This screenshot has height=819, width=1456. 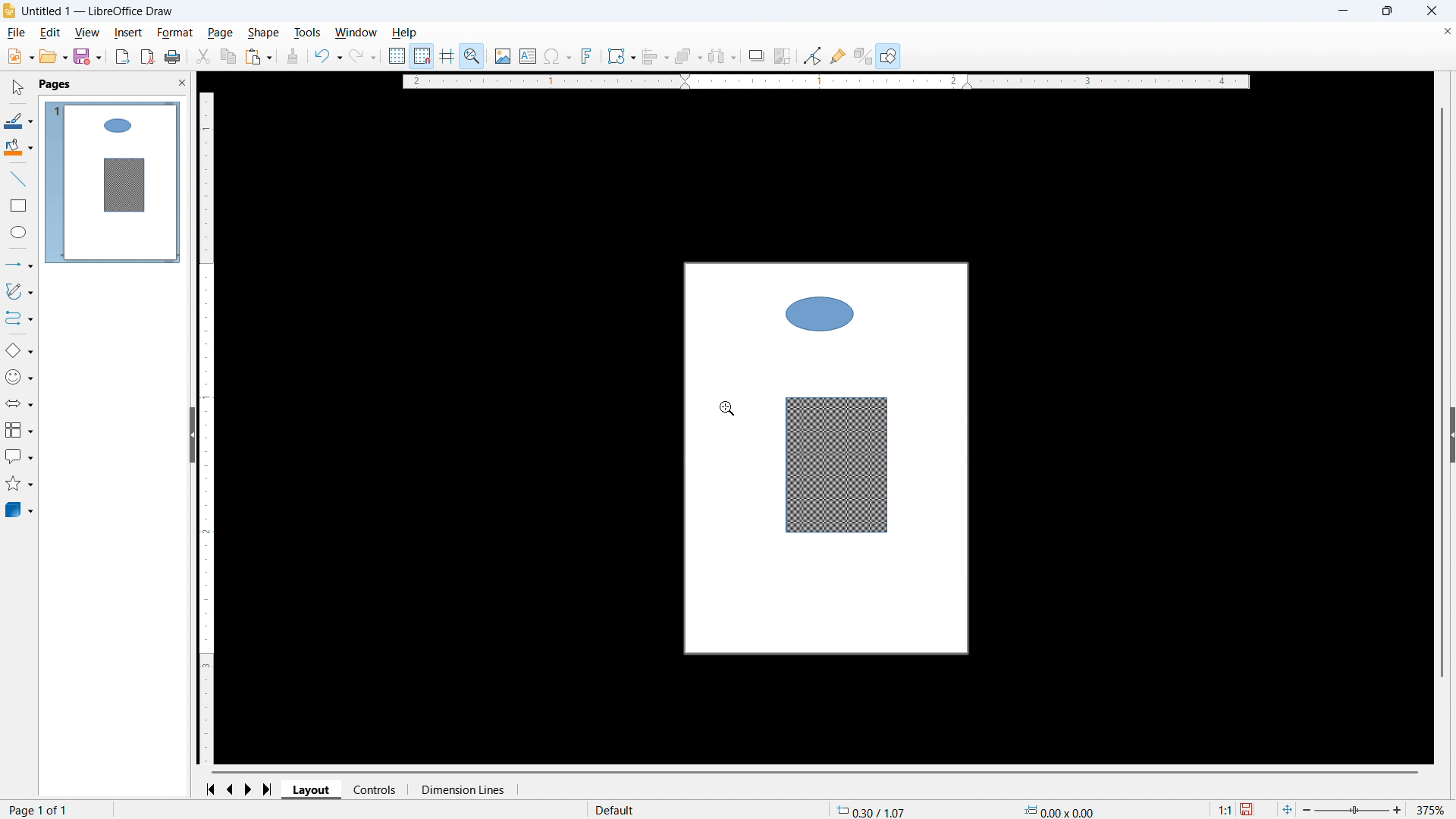 I want to click on maximise , so click(x=1386, y=11).